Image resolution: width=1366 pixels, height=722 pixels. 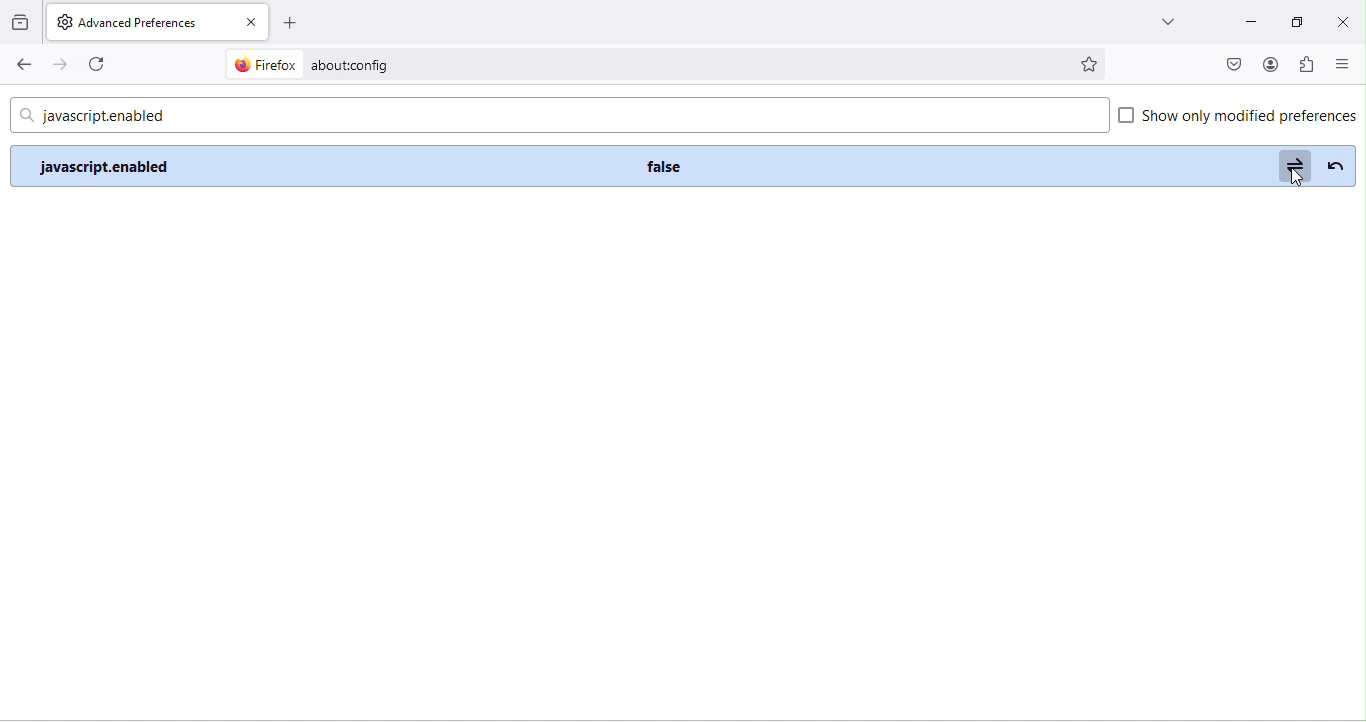 What do you see at coordinates (1235, 63) in the screenshot?
I see `pocket` at bounding box center [1235, 63].